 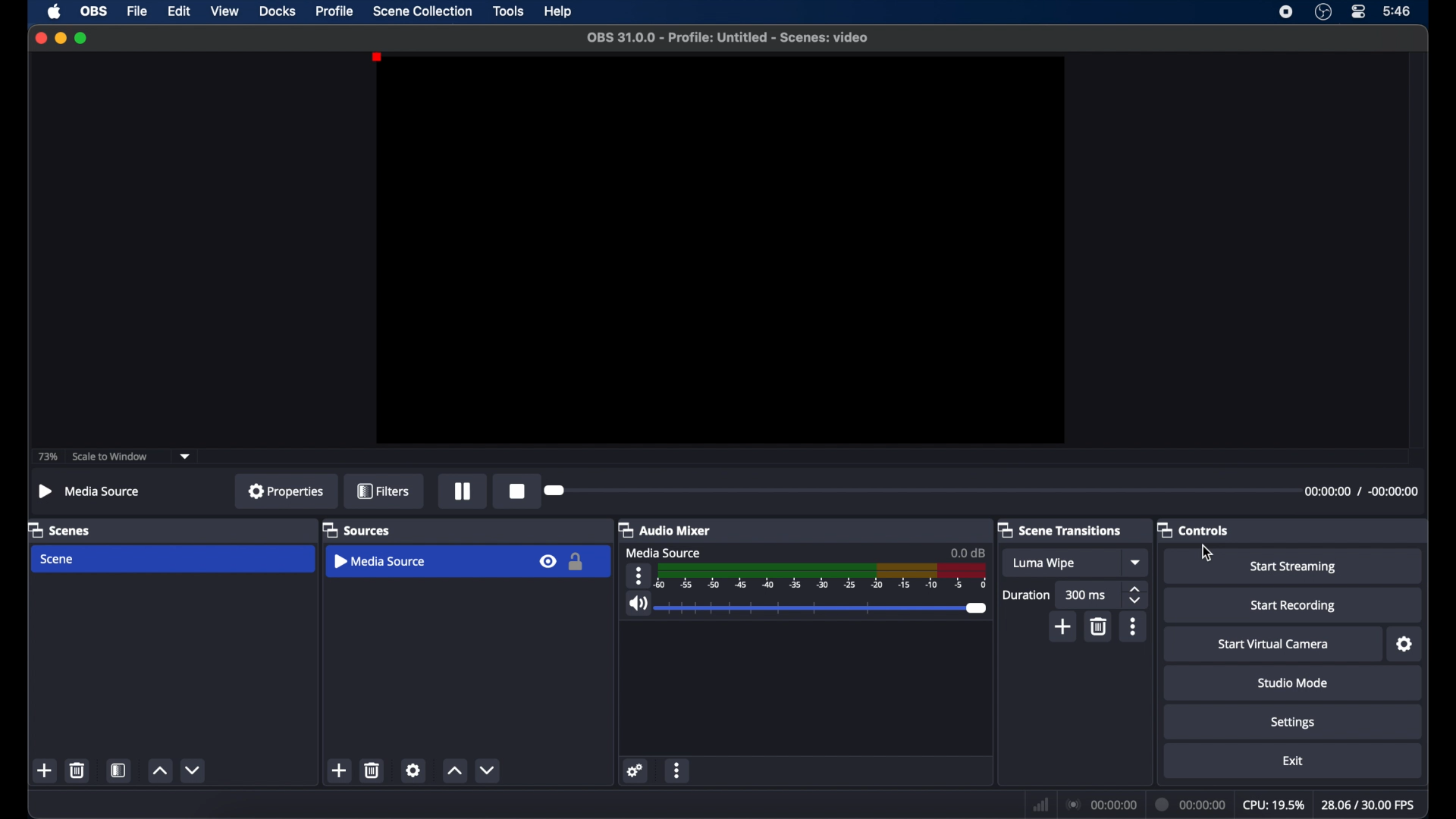 What do you see at coordinates (824, 608) in the screenshot?
I see `slider` at bounding box center [824, 608].